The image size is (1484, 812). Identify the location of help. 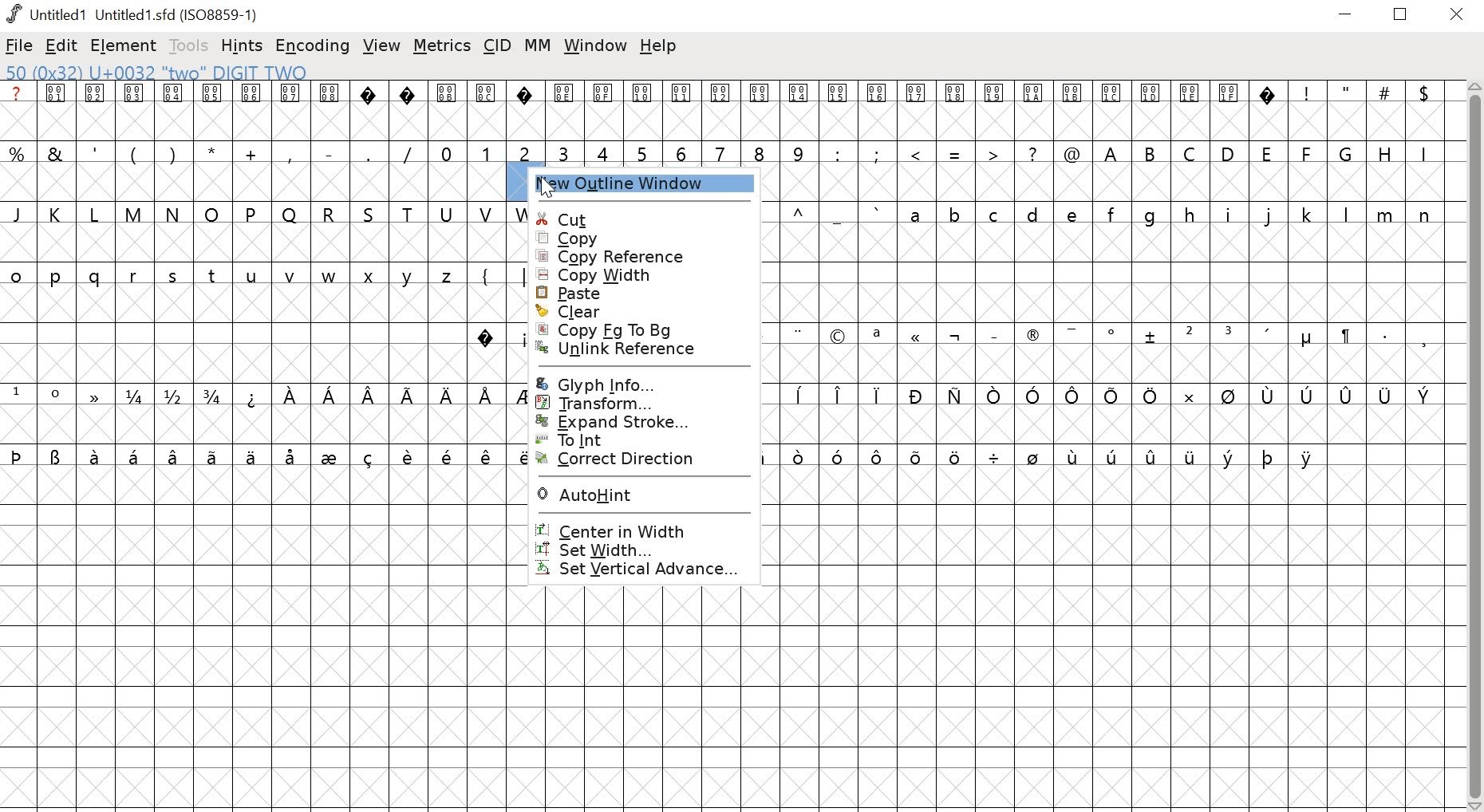
(658, 48).